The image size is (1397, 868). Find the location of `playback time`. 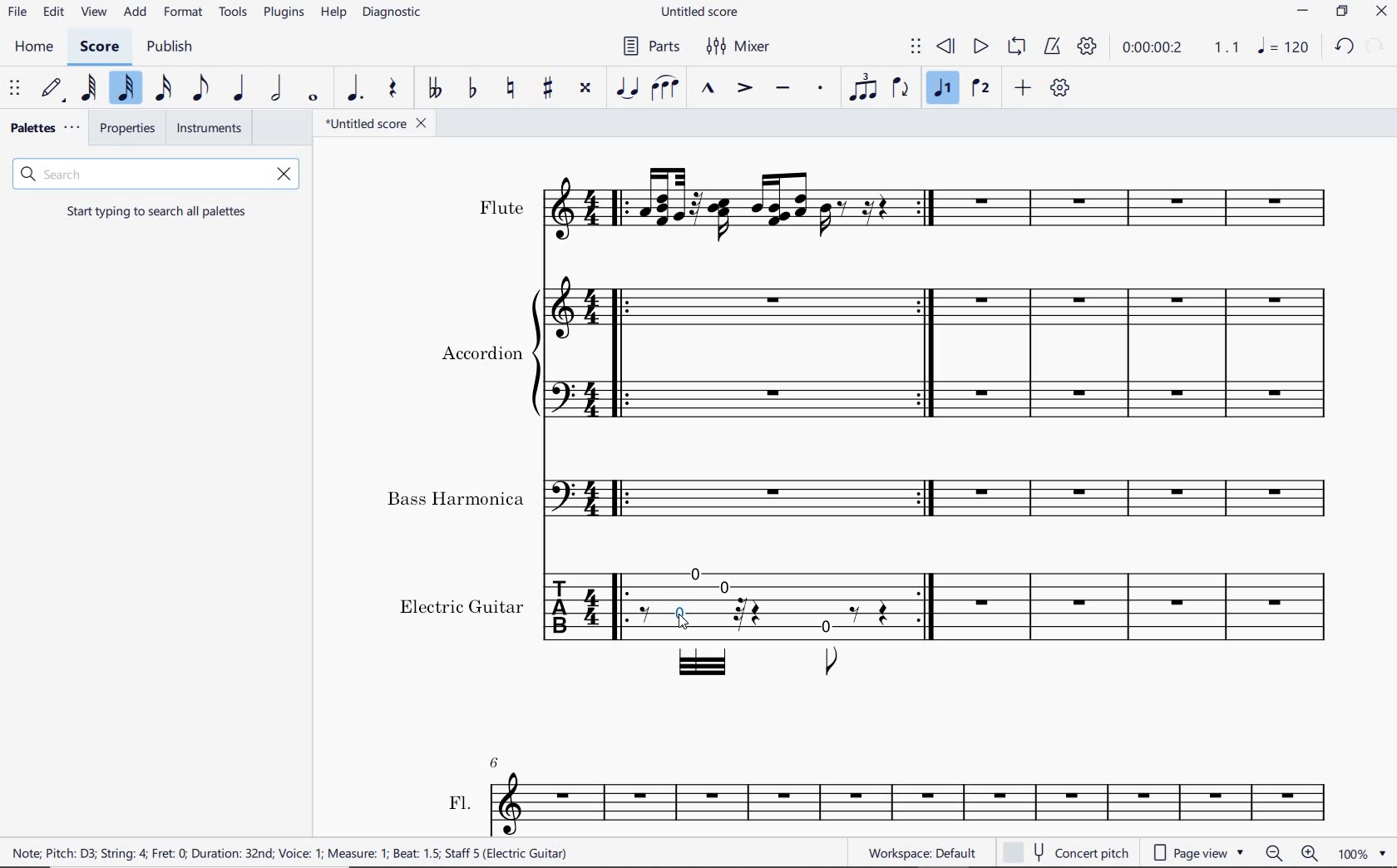

playback time is located at coordinates (1155, 50).